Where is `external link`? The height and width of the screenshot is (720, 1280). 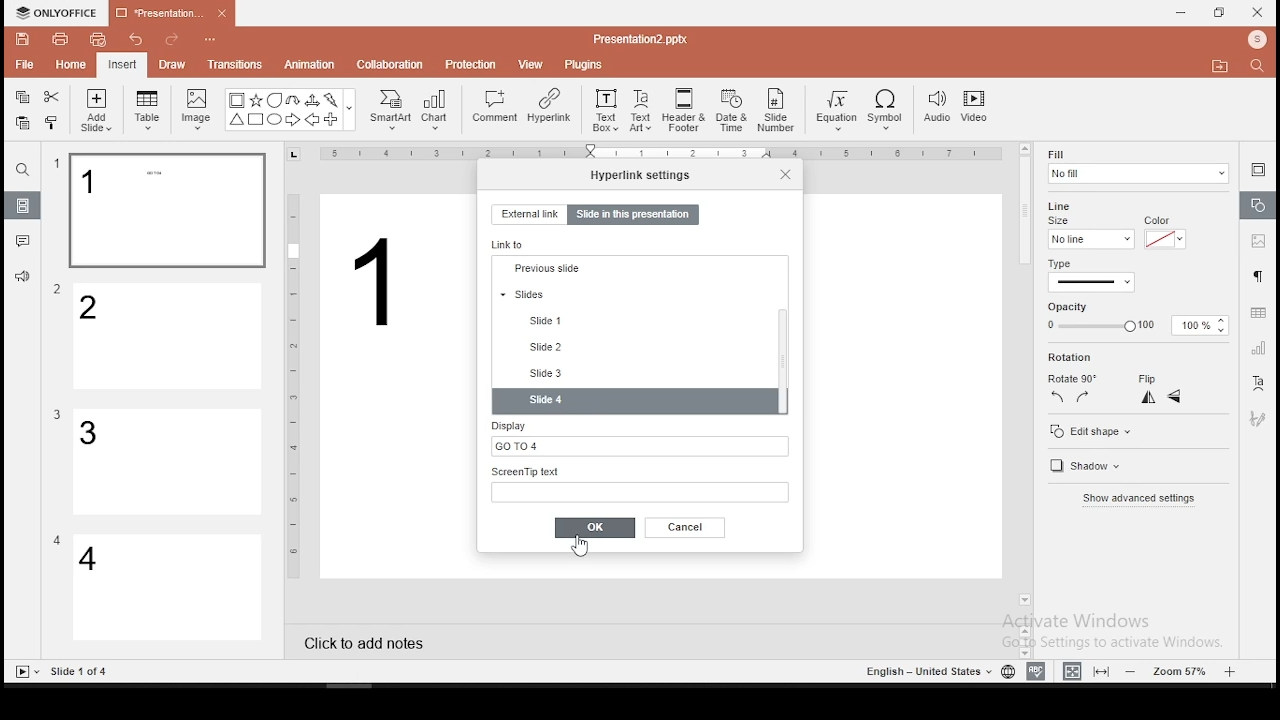
external link is located at coordinates (528, 214).